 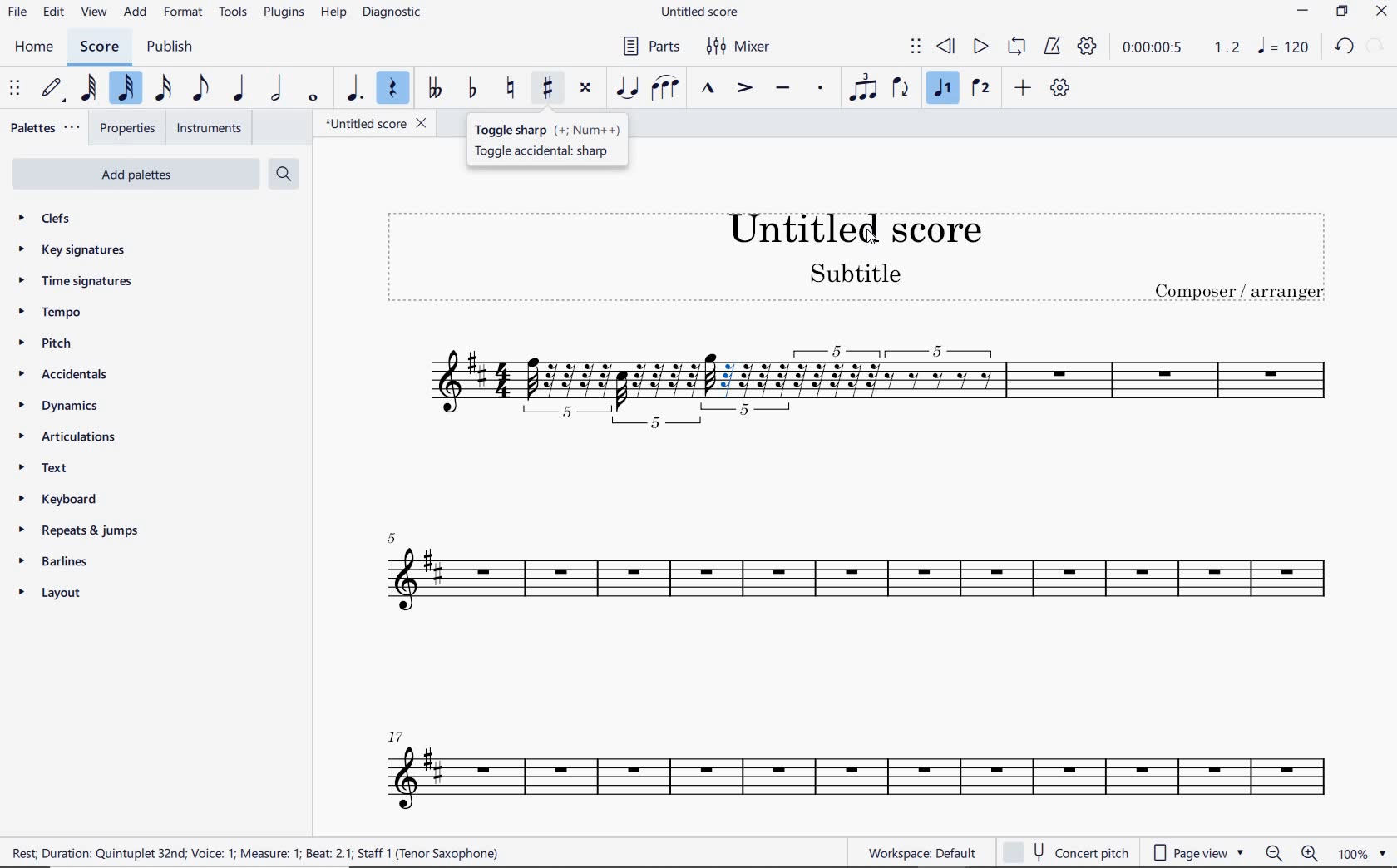 What do you see at coordinates (1088, 47) in the screenshot?
I see `PLAYBACK SETTINGS` at bounding box center [1088, 47].